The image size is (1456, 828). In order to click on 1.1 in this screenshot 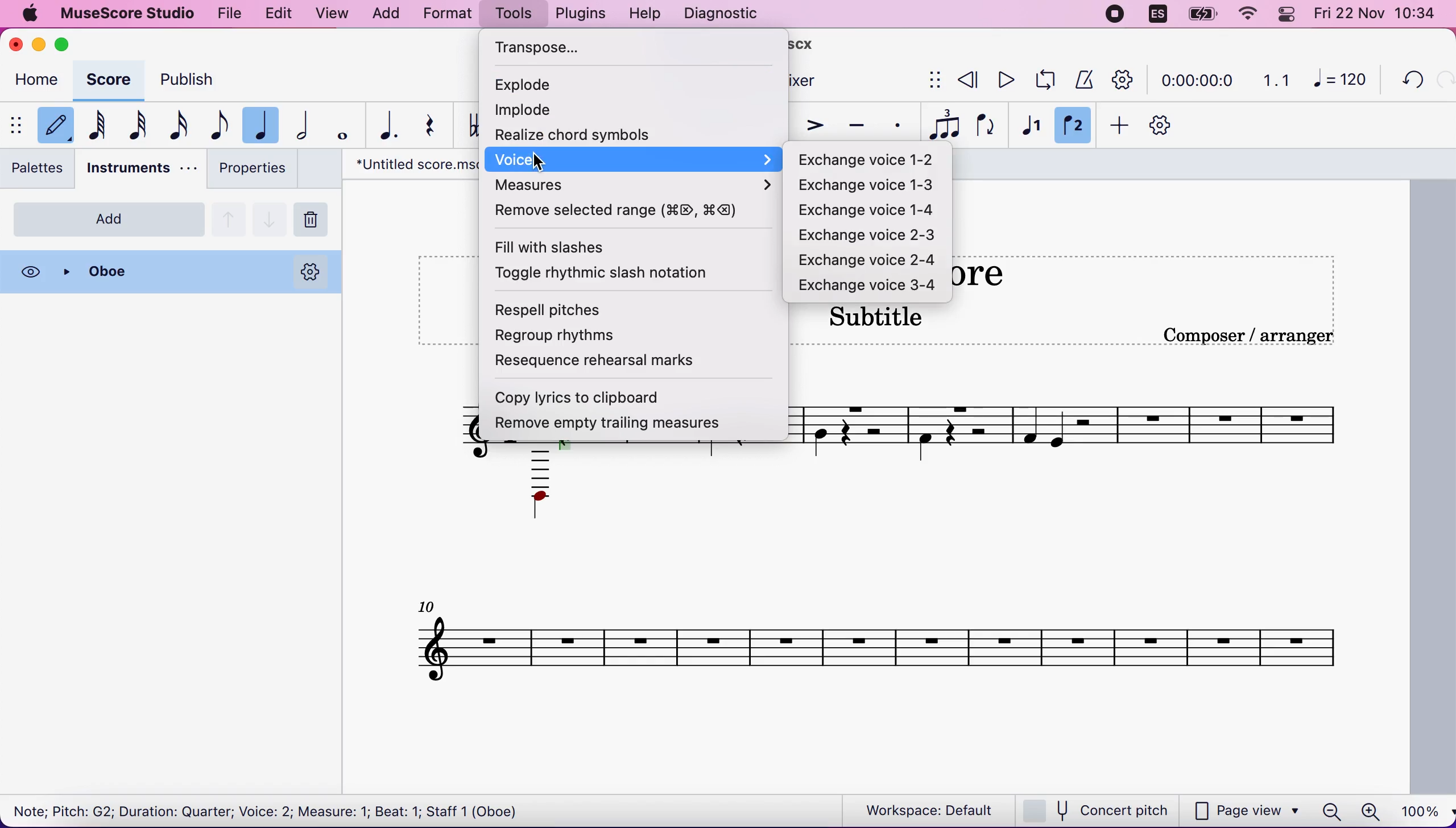, I will do `click(1272, 78)`.